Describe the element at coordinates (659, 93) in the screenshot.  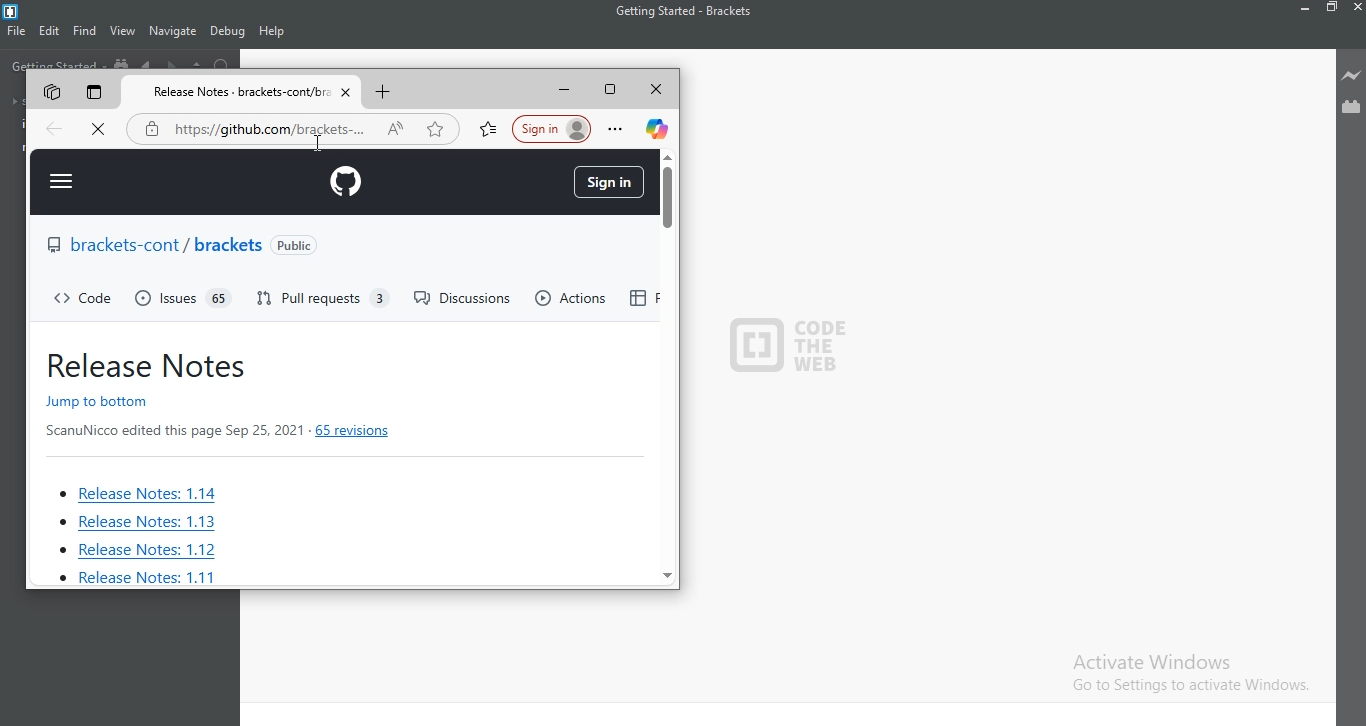
I see `close` at that location.